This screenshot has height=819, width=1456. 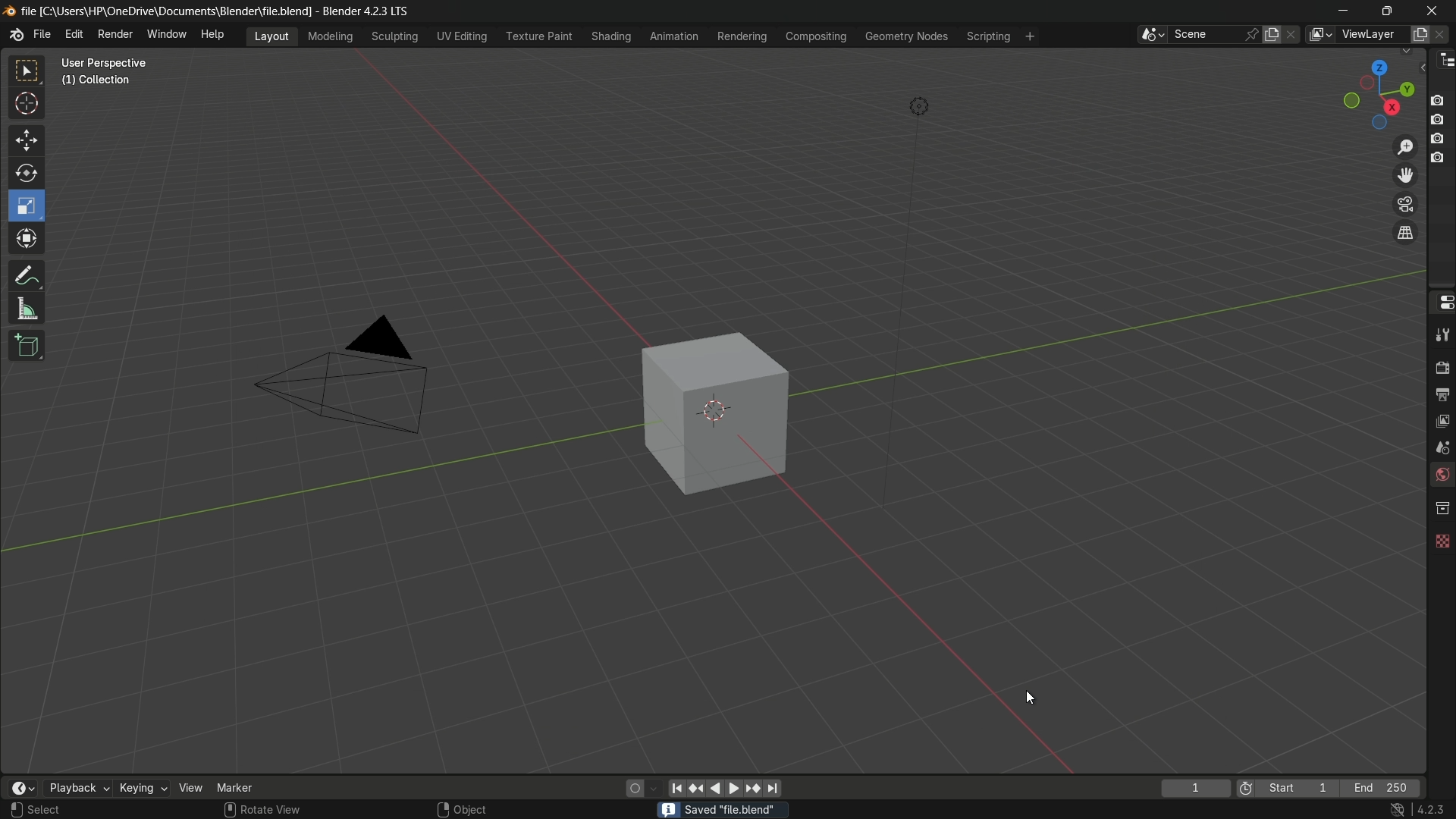 I want to click on view layer, so click(x=1441, y=419).